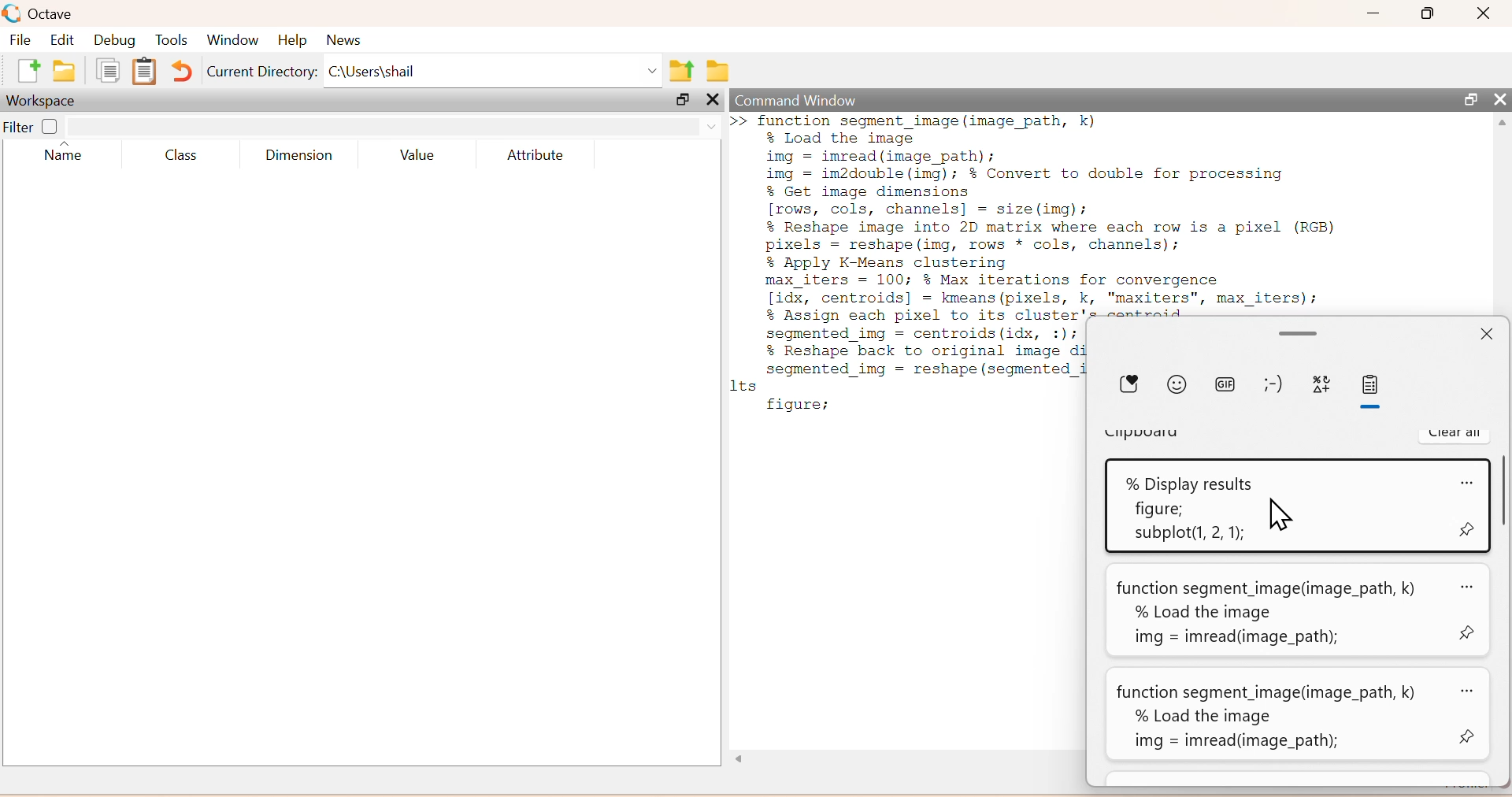 The height and width of the screenshot is (797, 1512). I want to click on Close, so click(1496, 100).